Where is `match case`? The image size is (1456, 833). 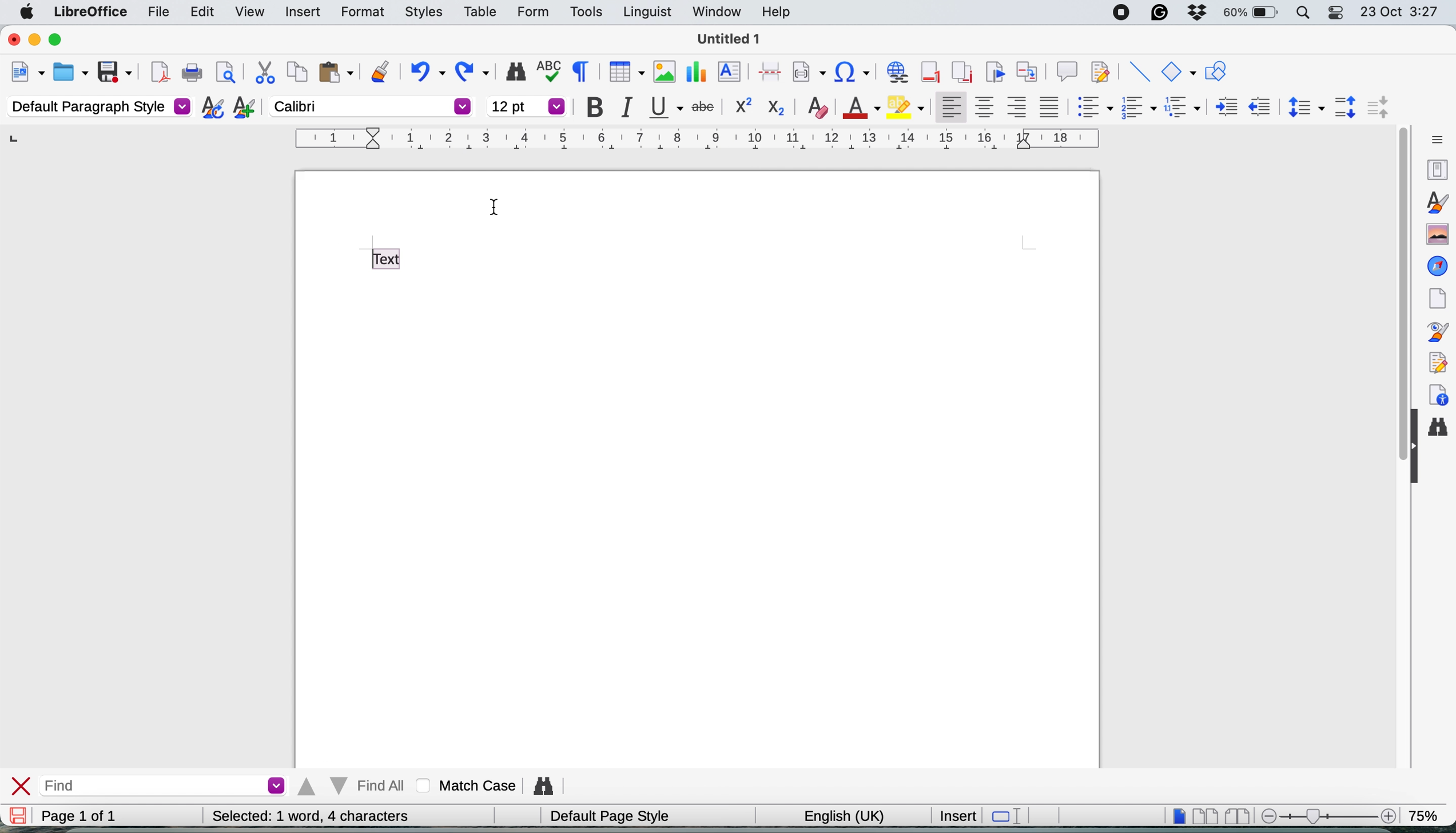 match case is located at coordinates (463, 786).